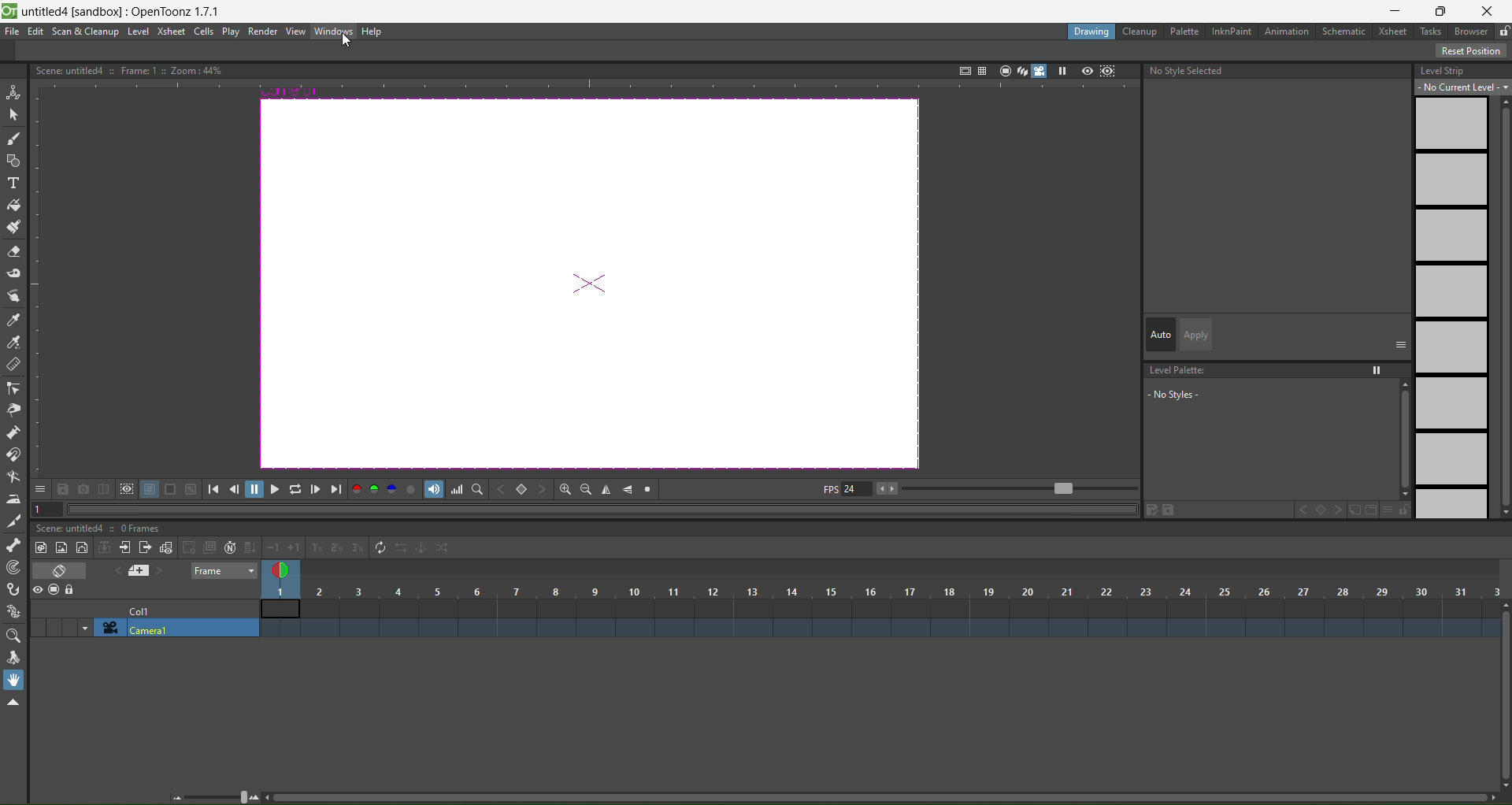 The image size is (1512, 805). I want to click on ruler tool, so click(12, 364).